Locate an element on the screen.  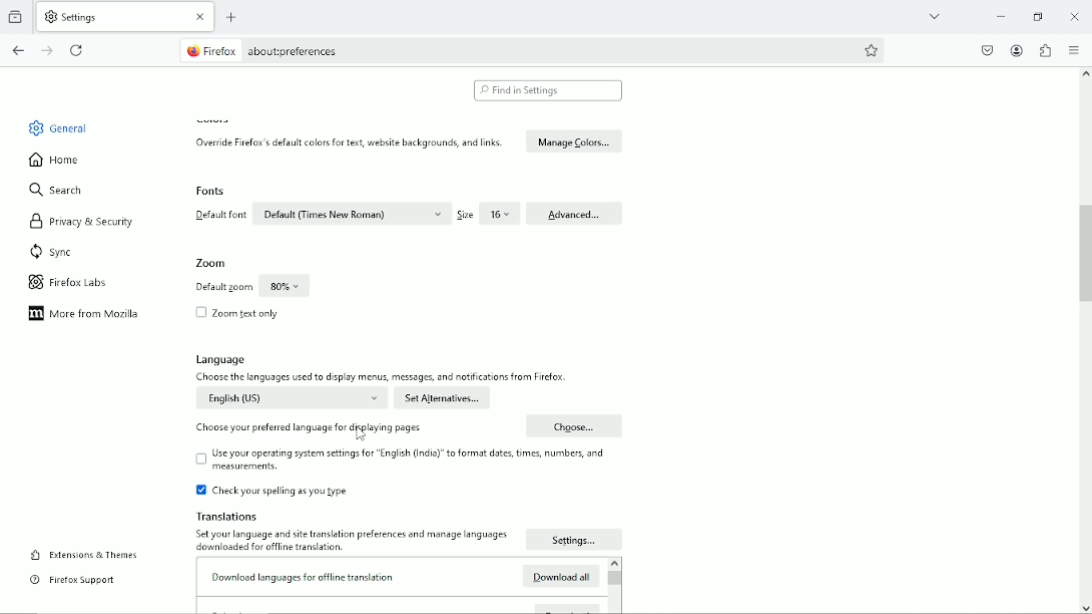
vertical scrollbar is located at coordinates (1082, 257).